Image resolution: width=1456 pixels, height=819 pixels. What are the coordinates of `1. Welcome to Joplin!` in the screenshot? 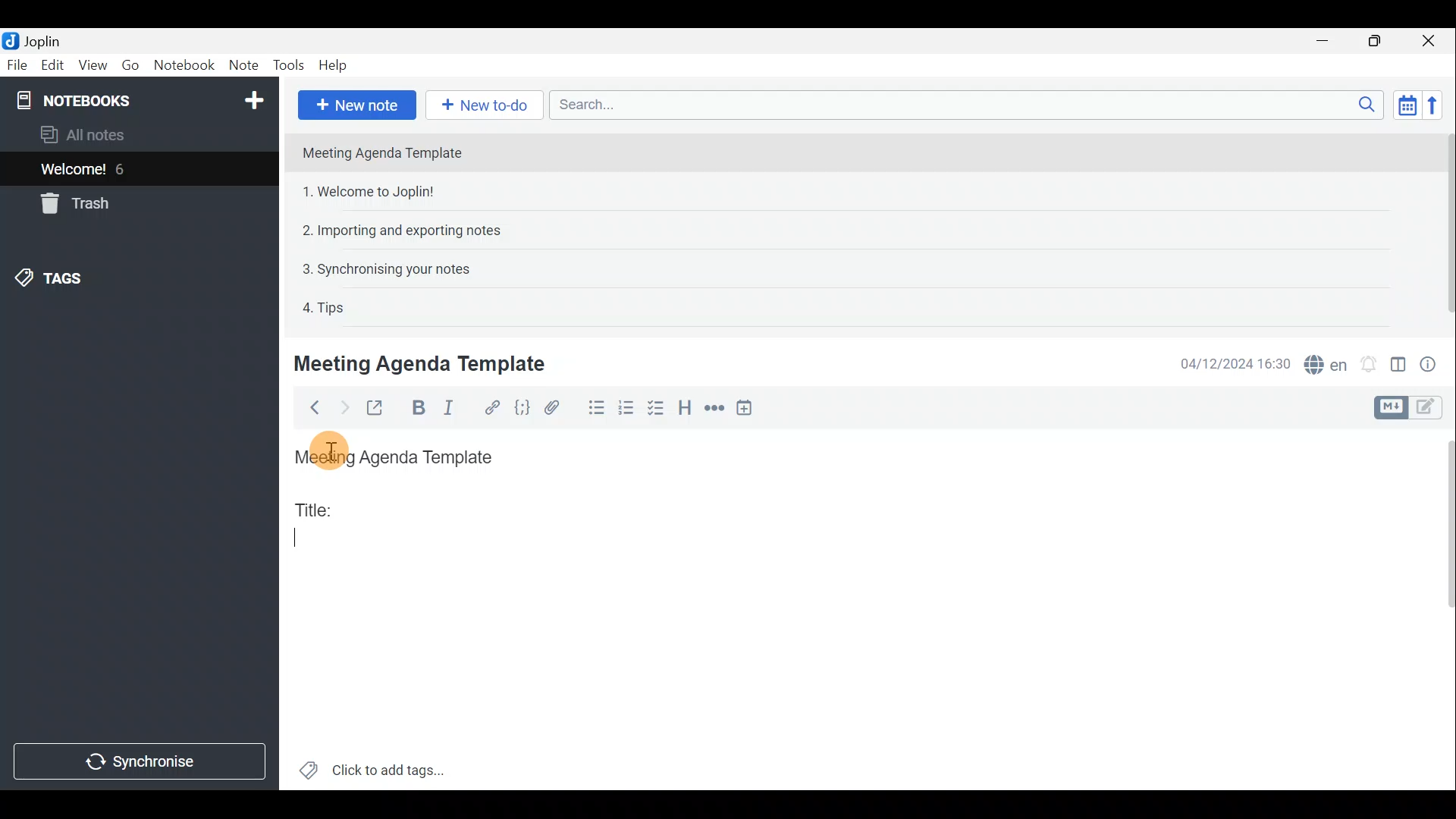 It's located at (373, 191).